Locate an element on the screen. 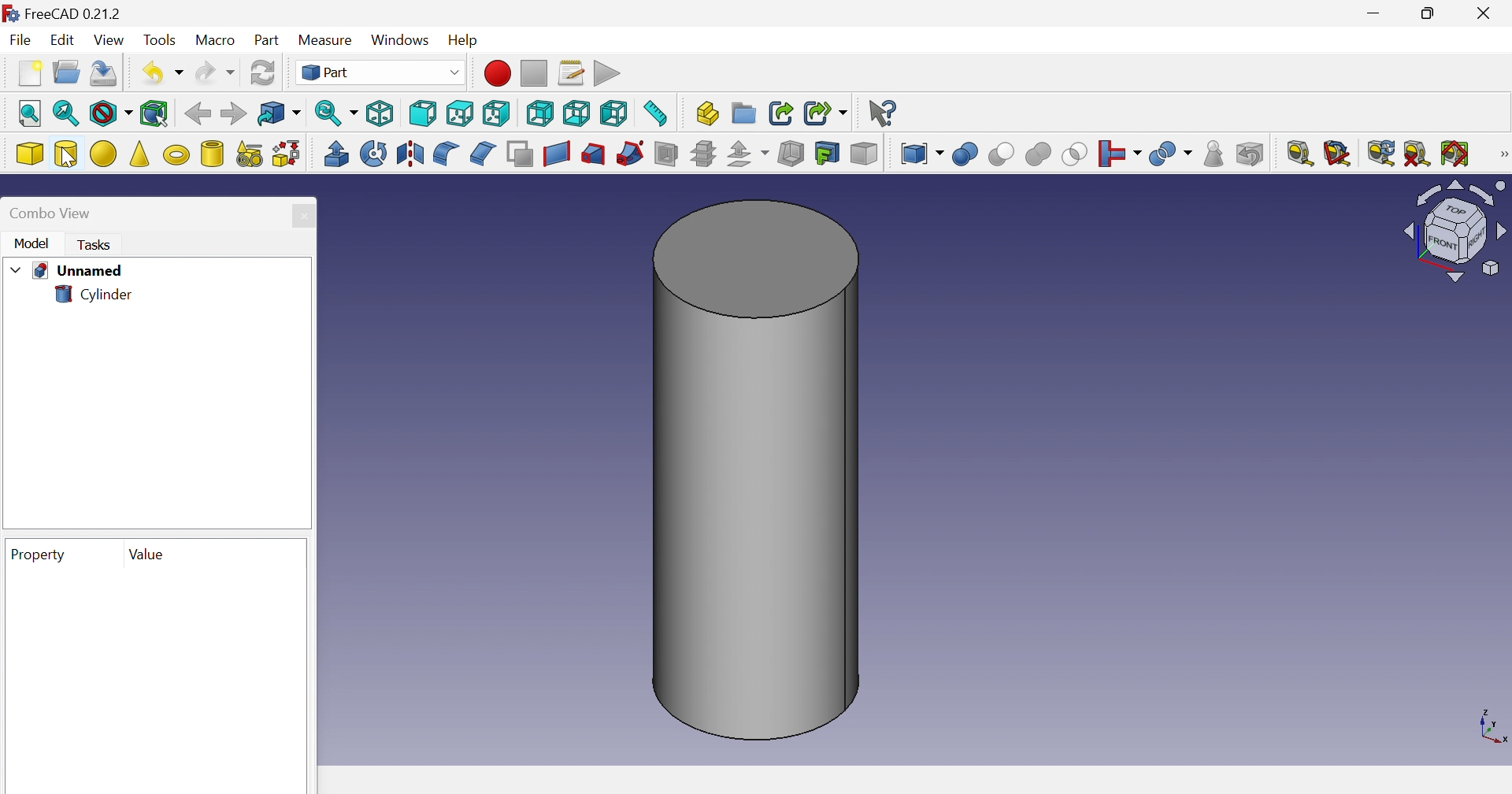  Cube is located at coordinates (28, 152).